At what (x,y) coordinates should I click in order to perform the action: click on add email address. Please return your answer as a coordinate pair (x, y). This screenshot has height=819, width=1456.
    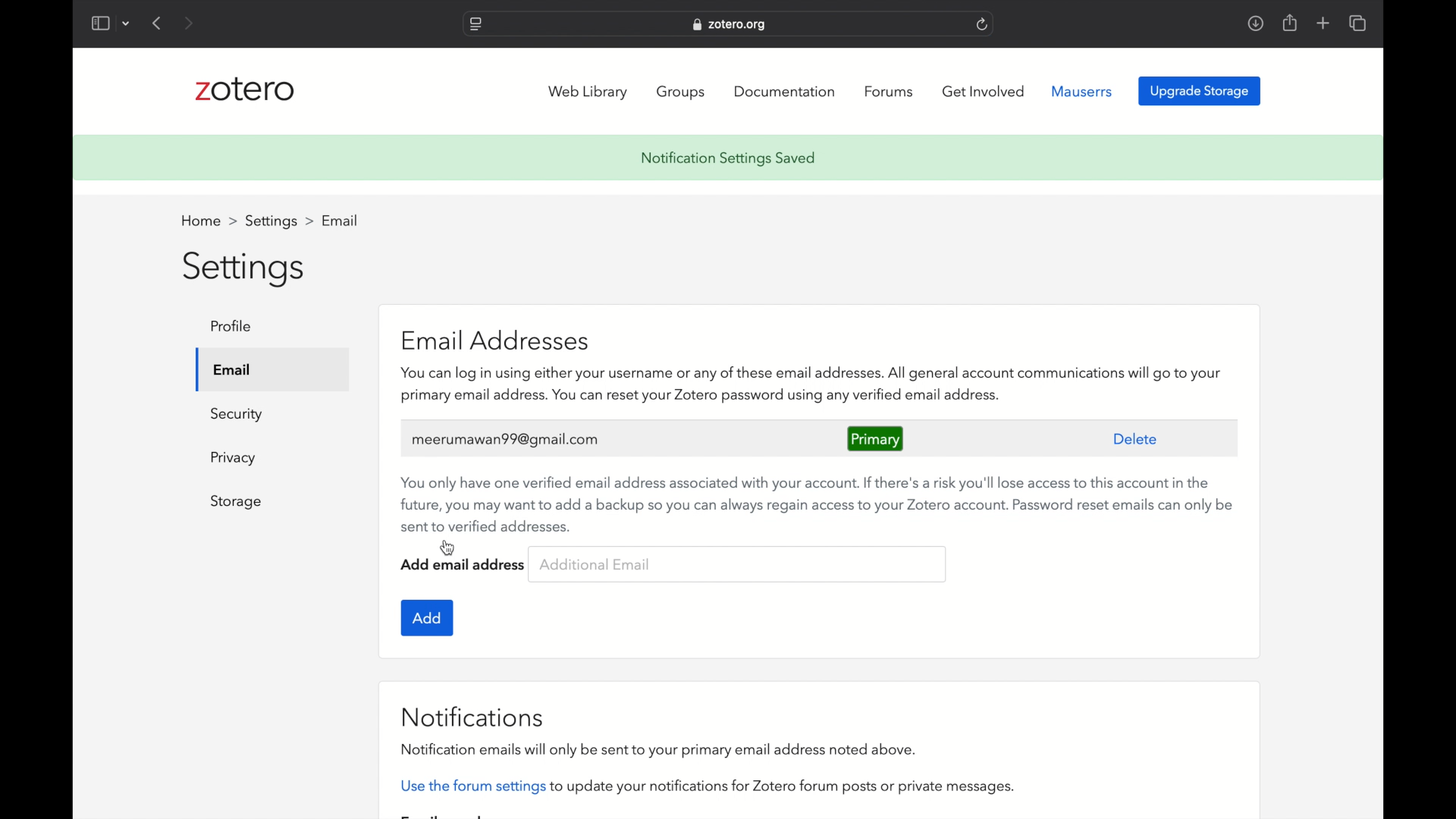
    Looking at the image, I should click on (463, 565).